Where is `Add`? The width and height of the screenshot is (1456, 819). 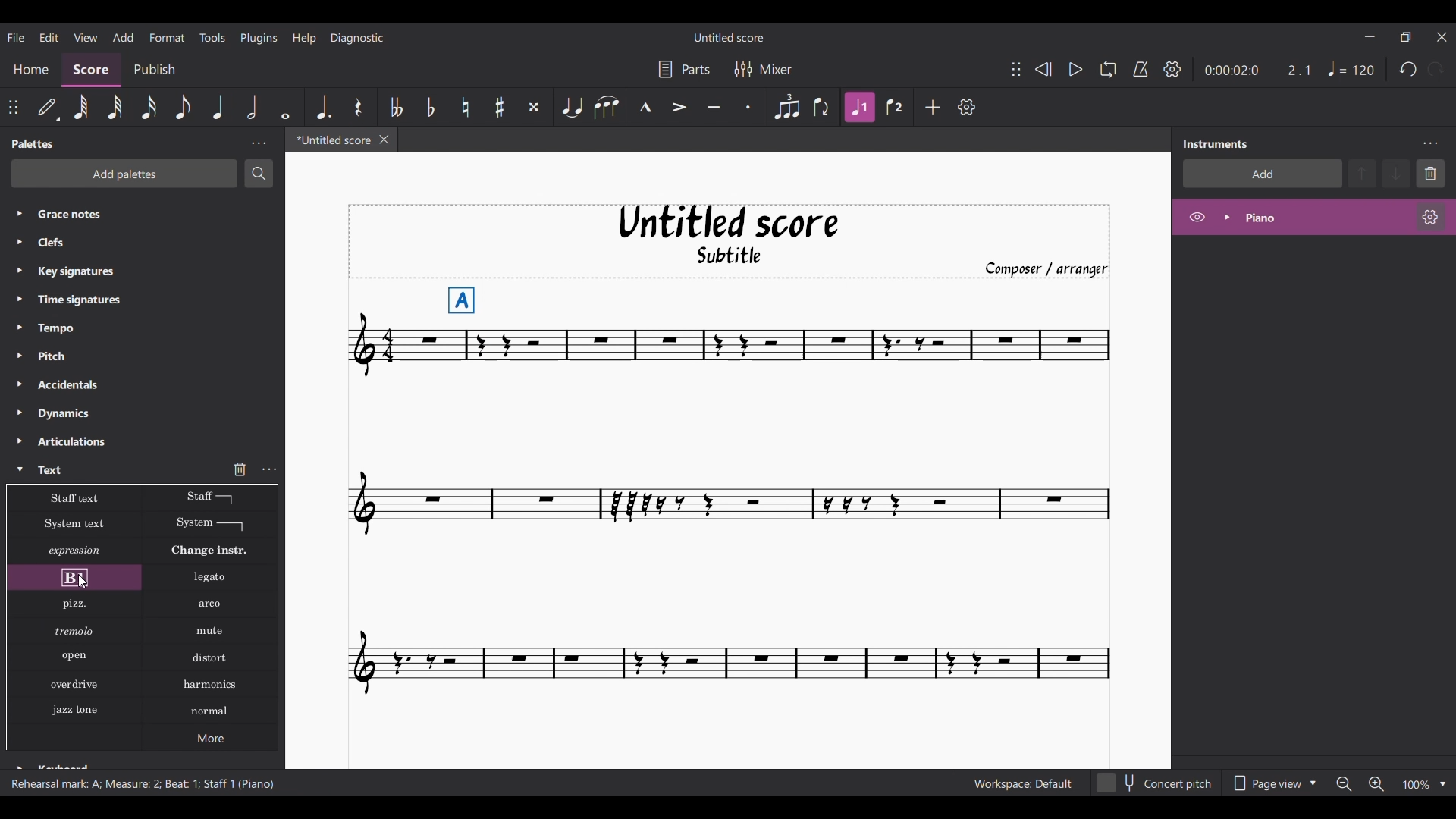
Add is located at coordinates (933, 107).